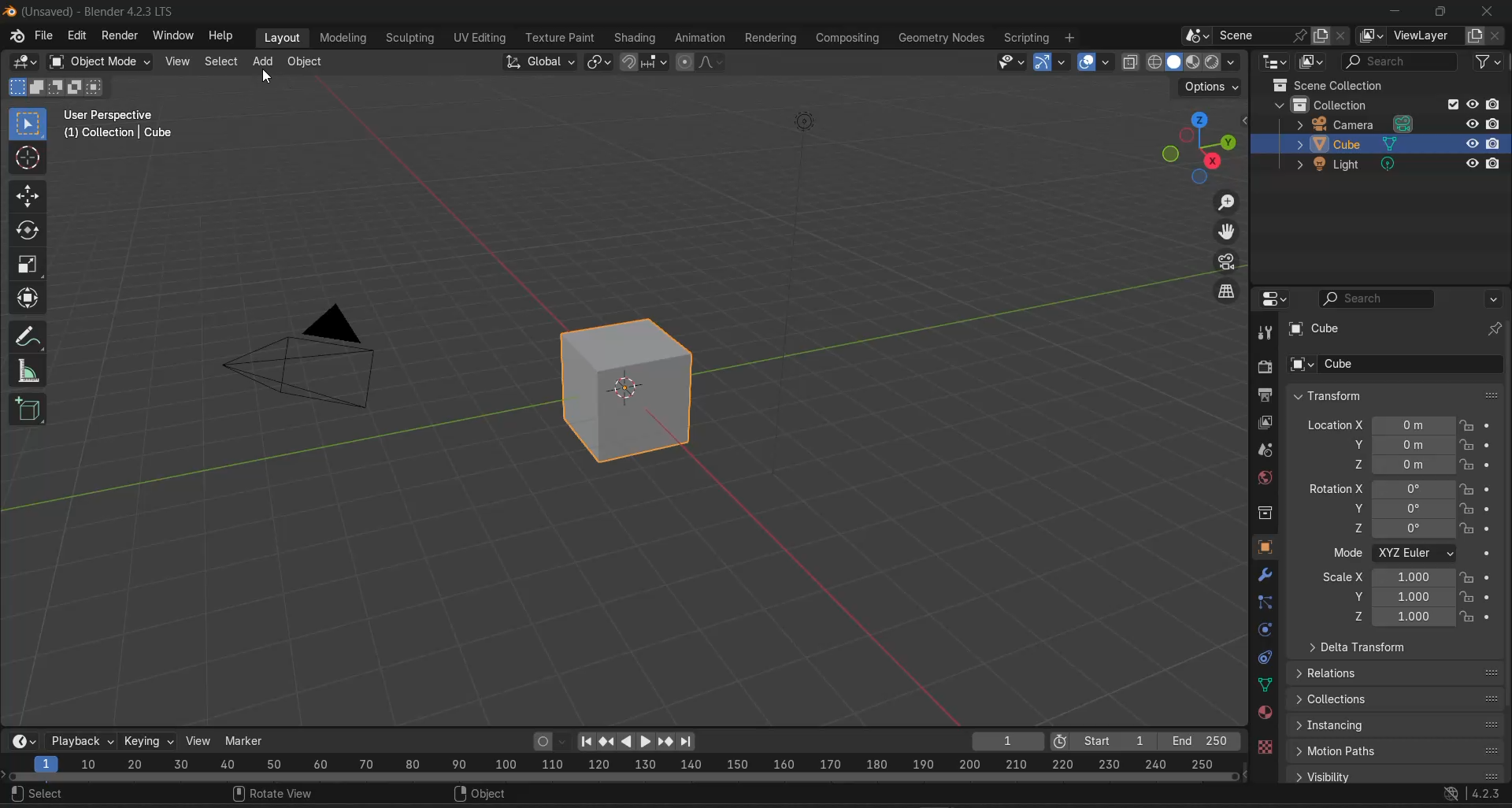  I want to click on editor type, so click(27, 740).